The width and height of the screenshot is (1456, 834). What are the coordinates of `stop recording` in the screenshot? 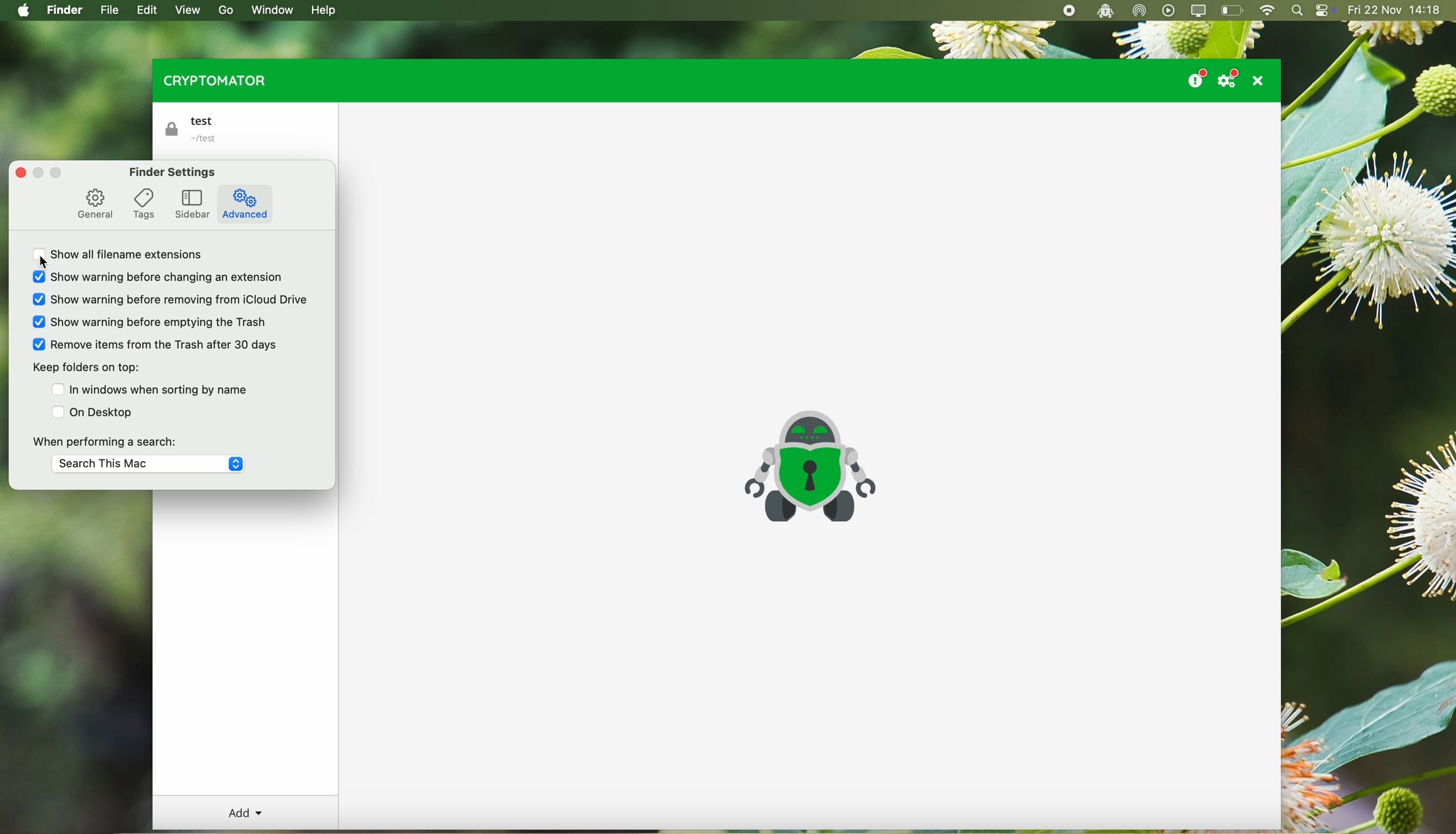 It's located at (1067, 11).